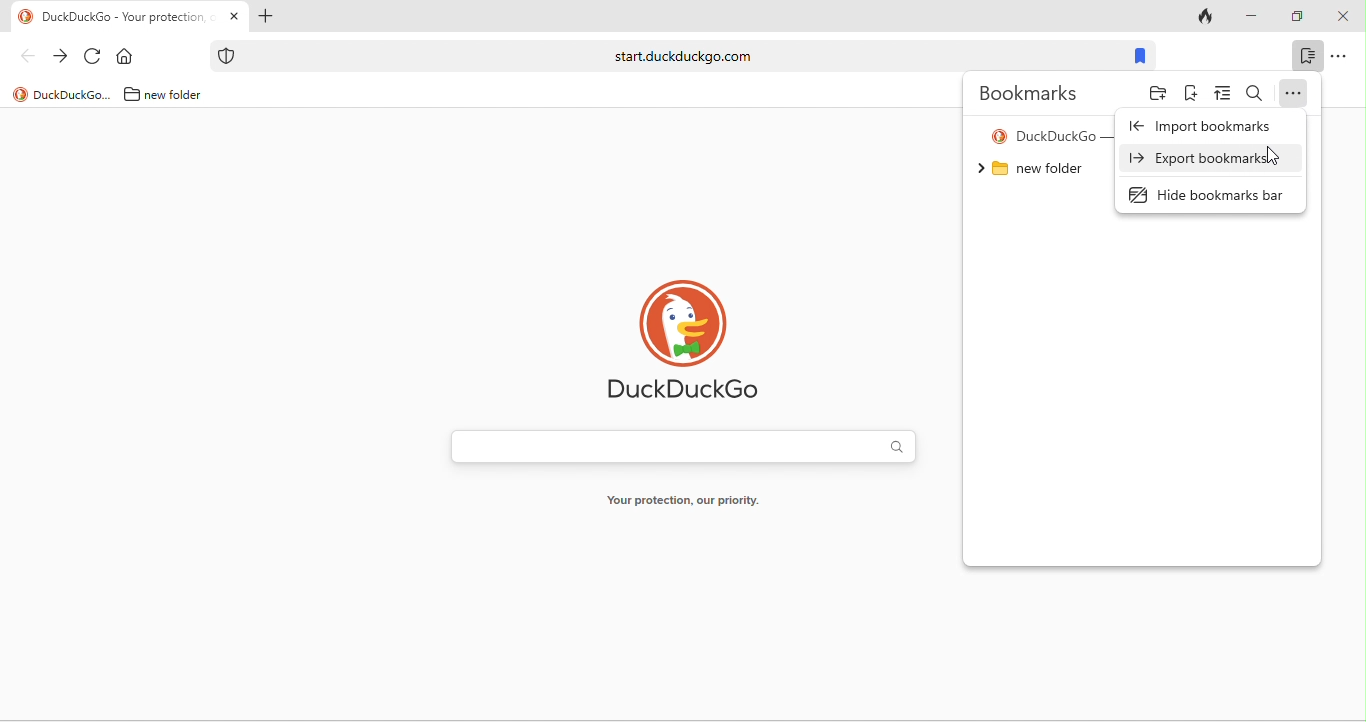  I want to click on bookmark, so click(1140, 56).